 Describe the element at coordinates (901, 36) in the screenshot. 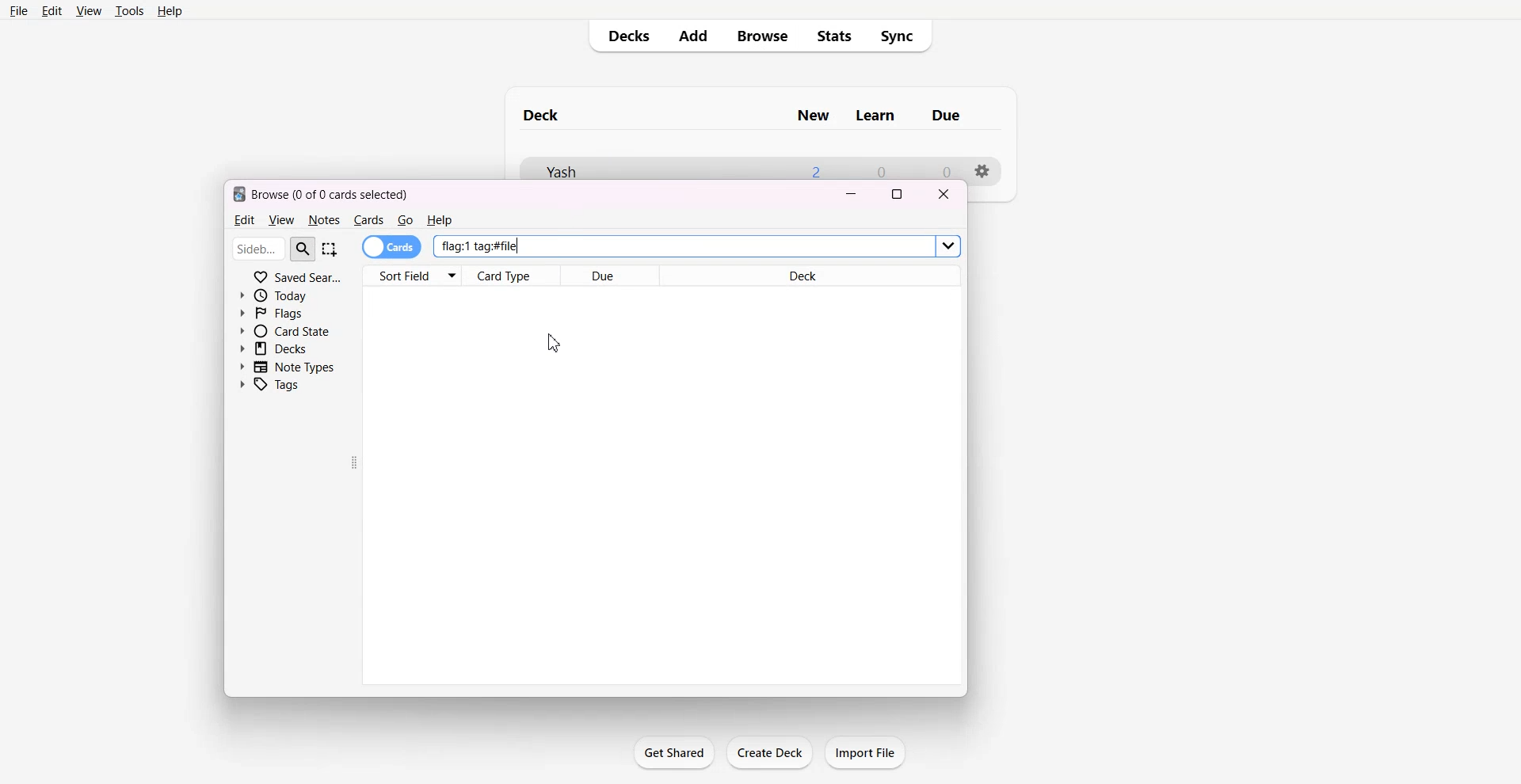

I see `Sync` at that location.